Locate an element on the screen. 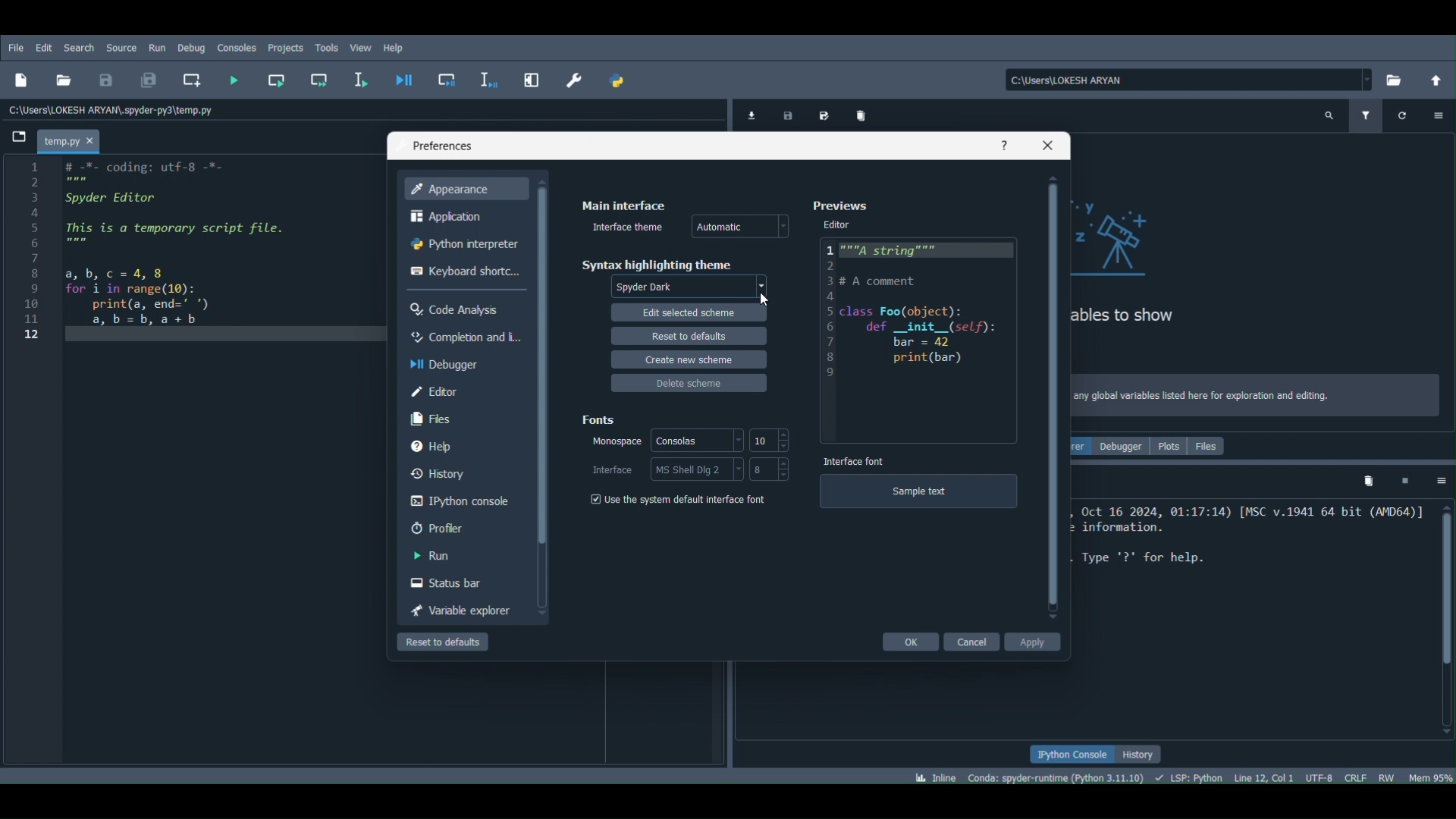 Image resolution: width=1456 pixels, height=819 pixels. Project name is located at coordinates (76, 140).